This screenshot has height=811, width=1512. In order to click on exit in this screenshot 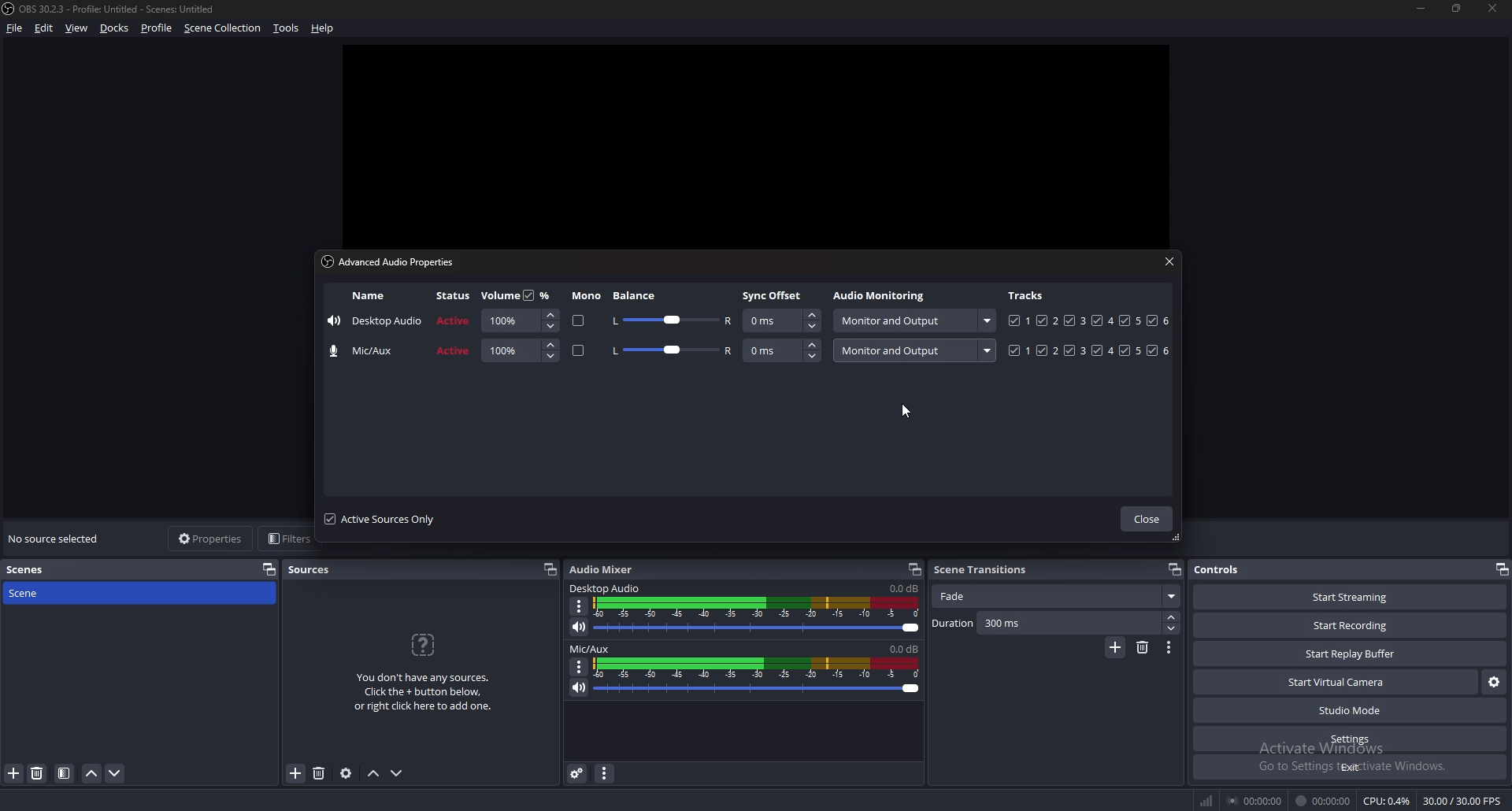, I will do `click(1348, 767)`.